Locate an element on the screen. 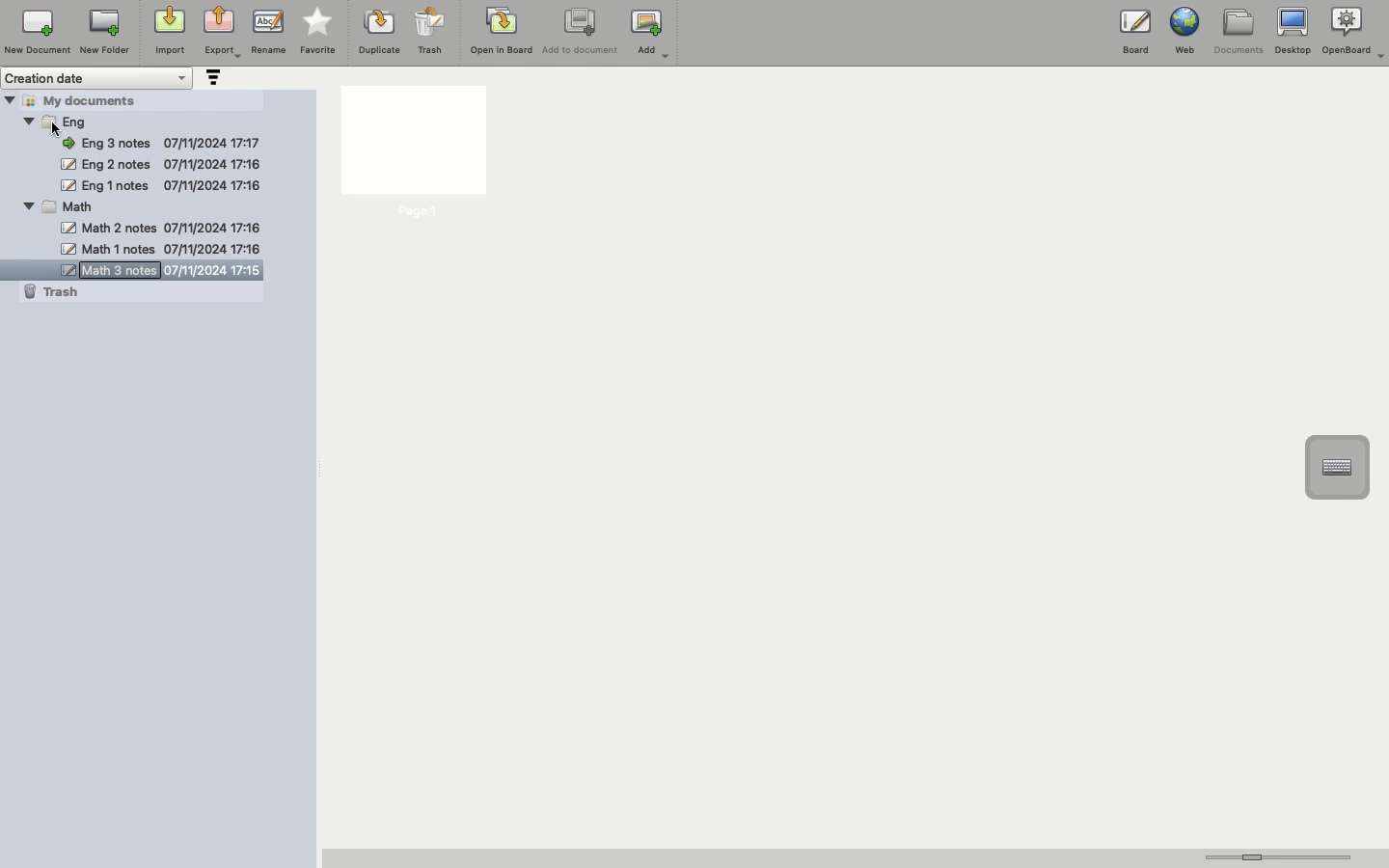 This screenshot has height=868, width=1389. Math is located at coordinates (167, 205).